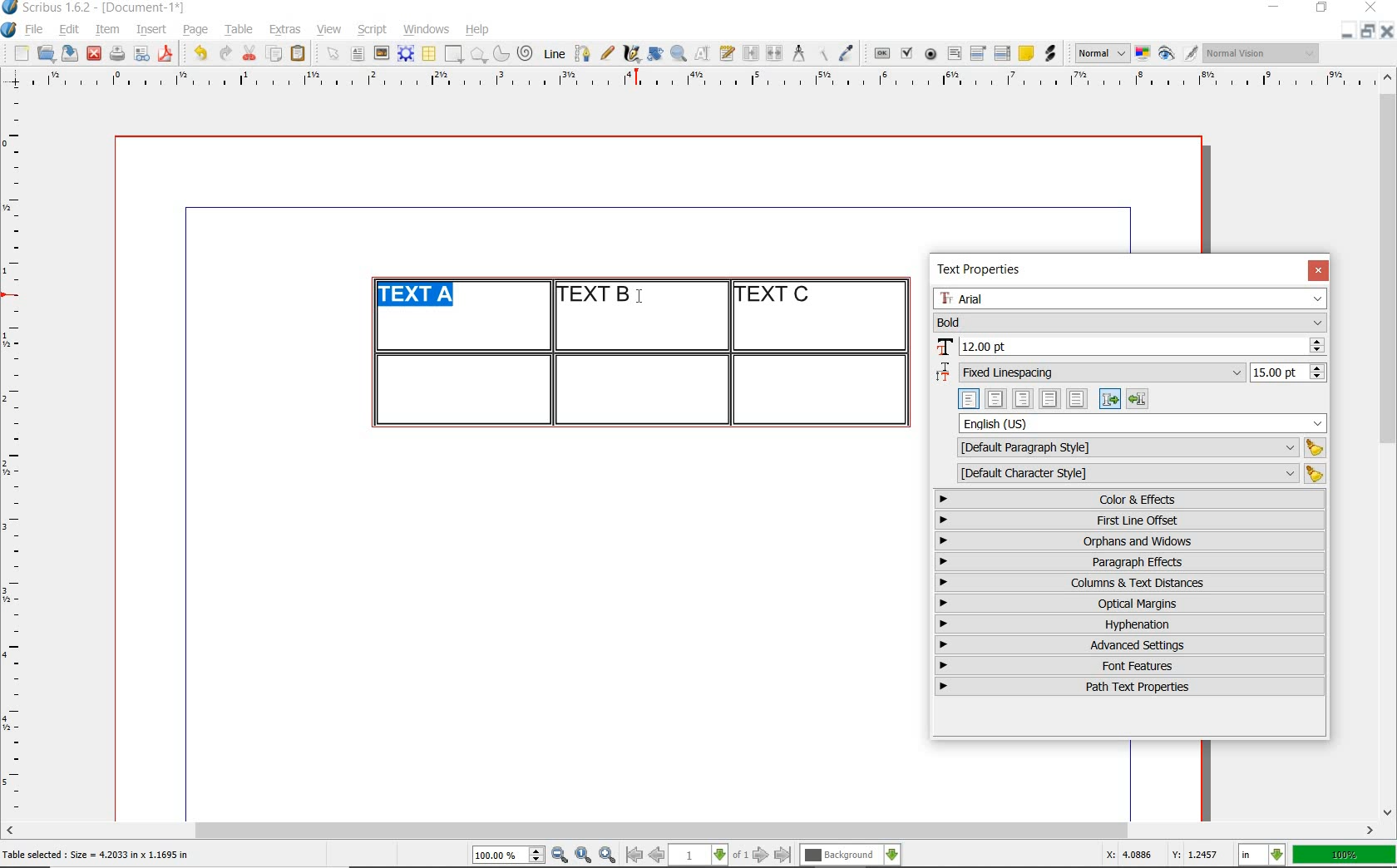  Describe the element at coordinates (1136, 474) in the screenshot. I see `default character style` at that location.